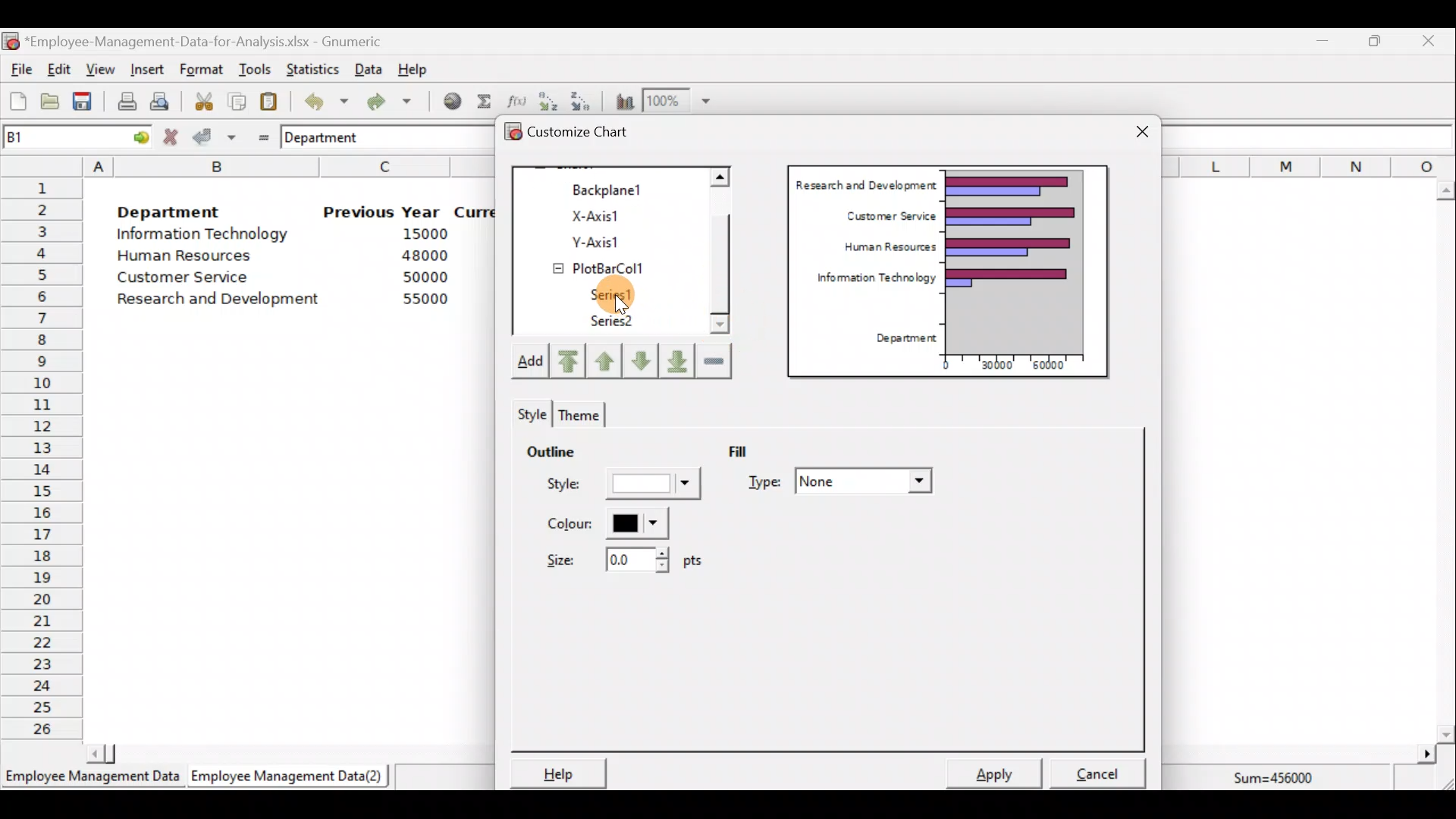  Describe the element at coordinates (582, 100) in the screenshot. I see `Sort in descending order` at that location.